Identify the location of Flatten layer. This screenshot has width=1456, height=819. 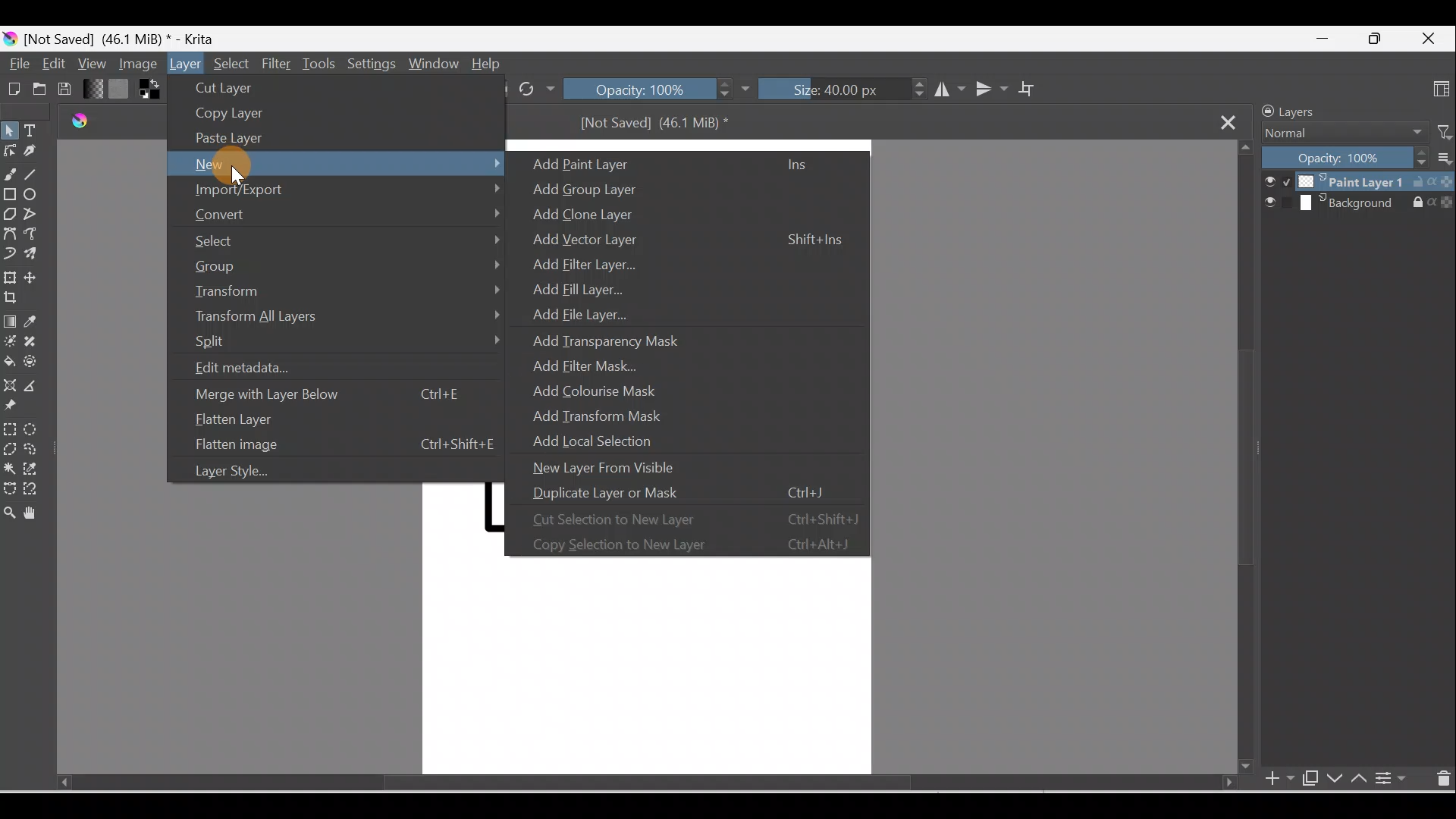
(325, 422).